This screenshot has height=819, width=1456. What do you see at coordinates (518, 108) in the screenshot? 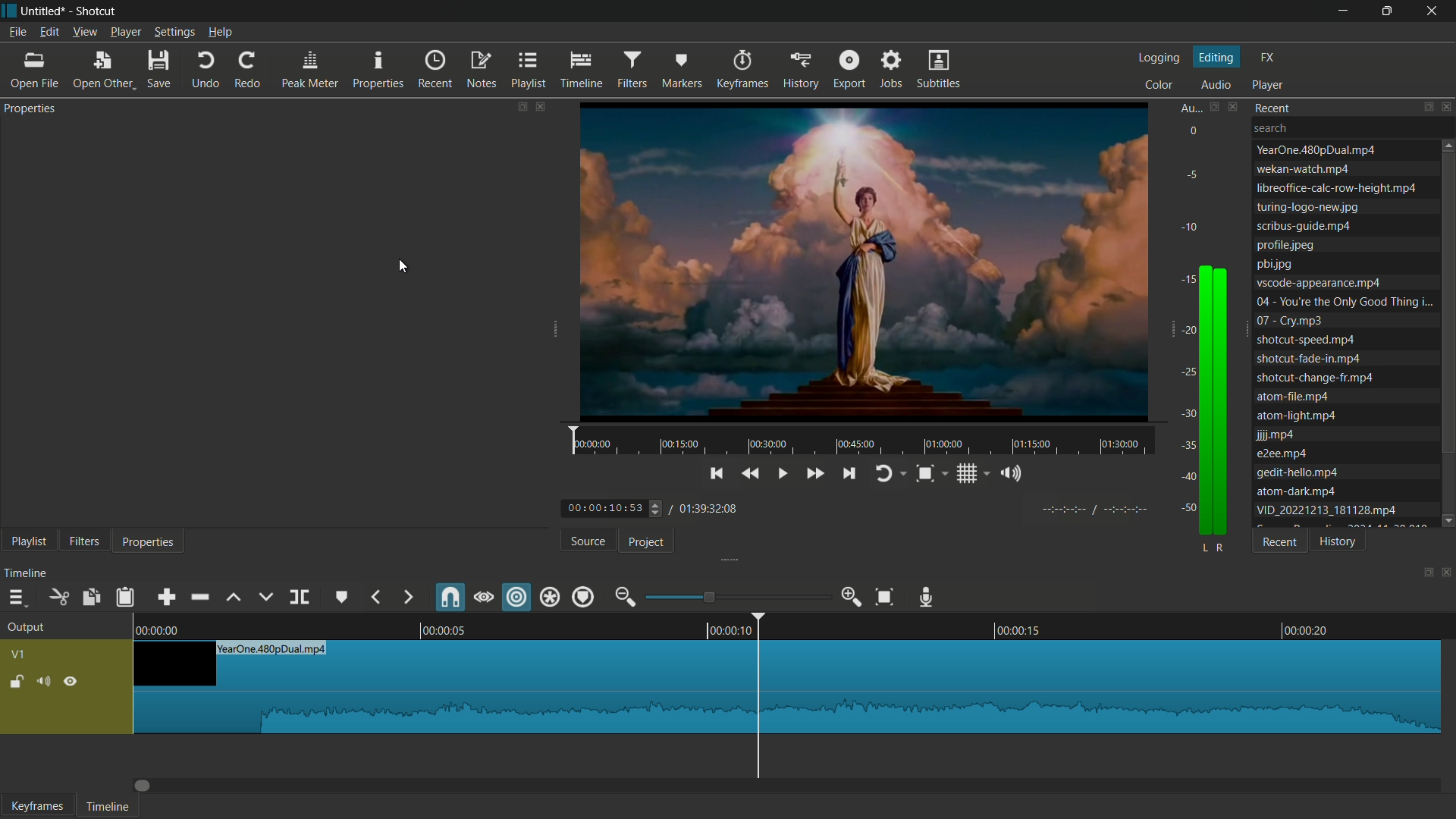
I see `change layout` at bounding box center [518, 108].